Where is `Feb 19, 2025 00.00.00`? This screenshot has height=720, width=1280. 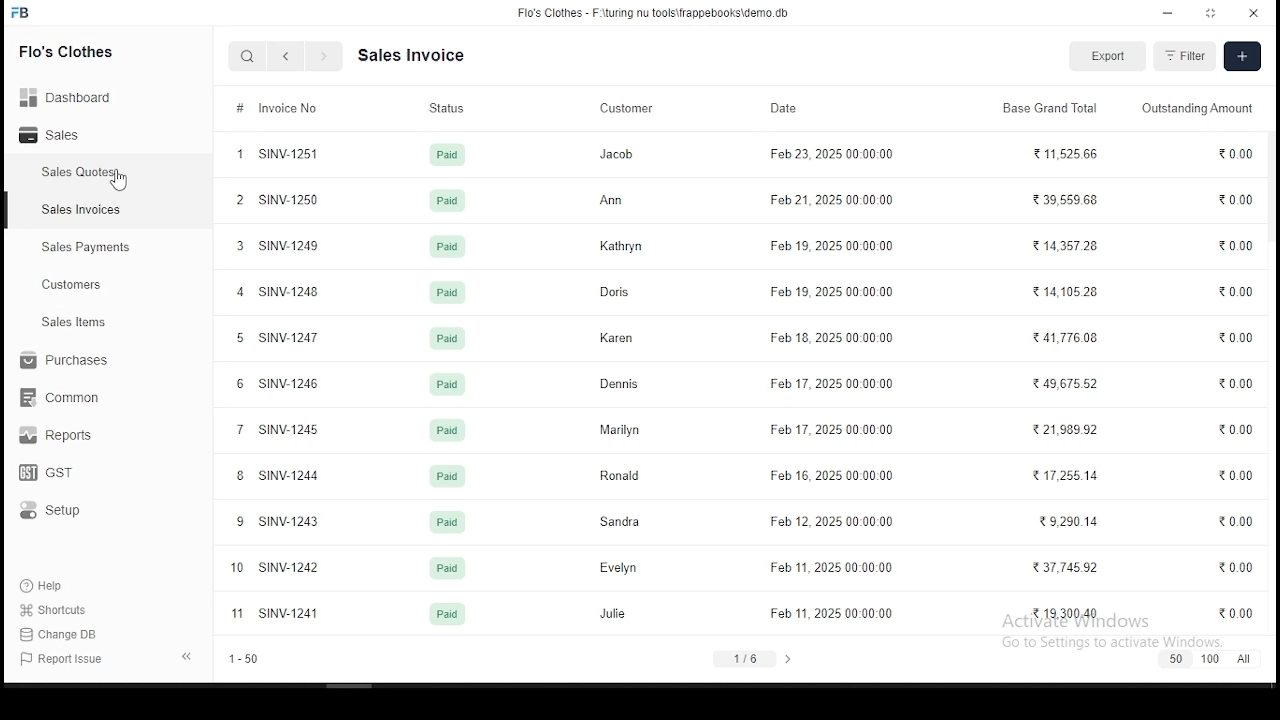 Feb 19, 2025 00.00.00 is located at coordinates (835, 292).